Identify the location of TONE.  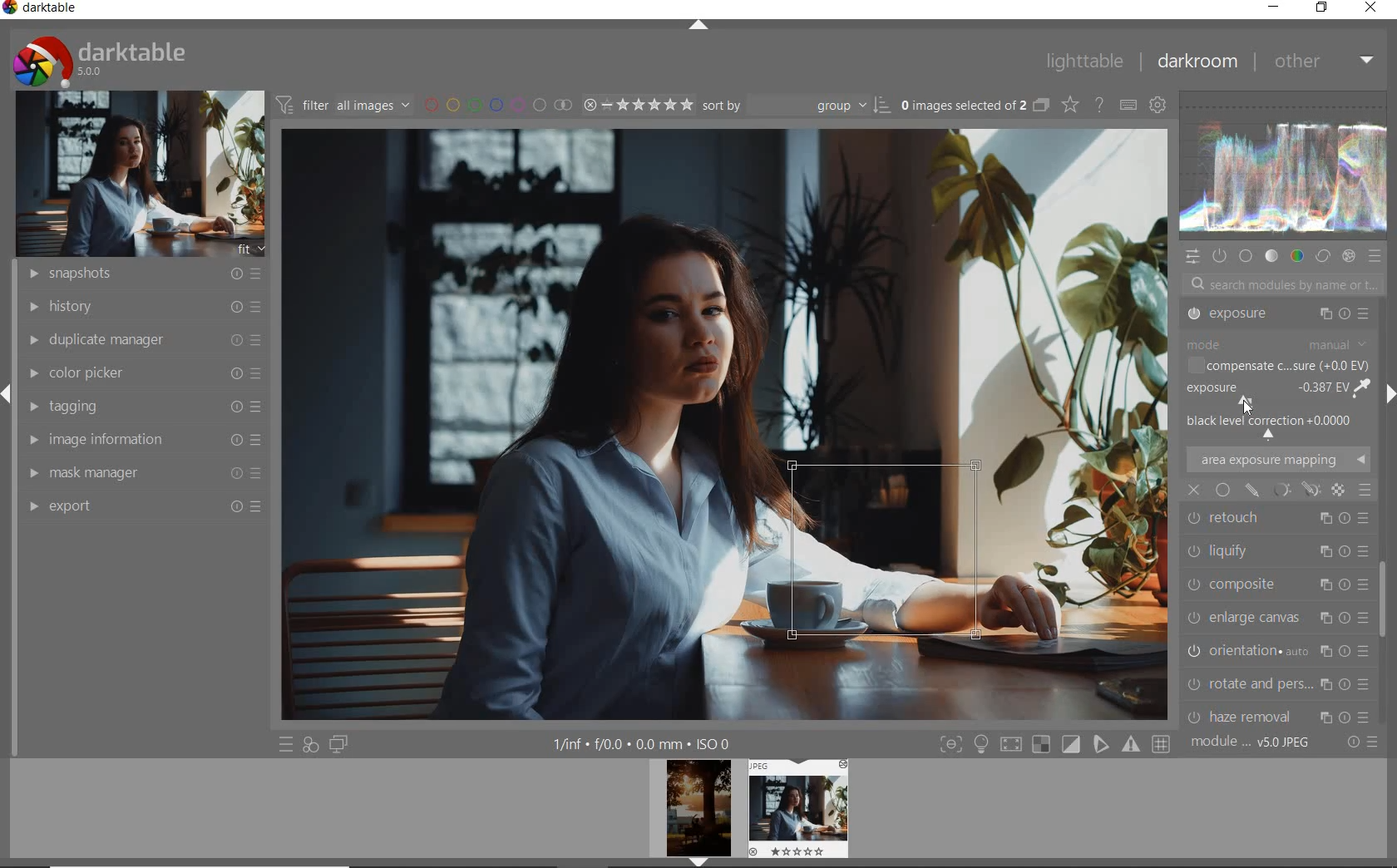
(1271, 256).